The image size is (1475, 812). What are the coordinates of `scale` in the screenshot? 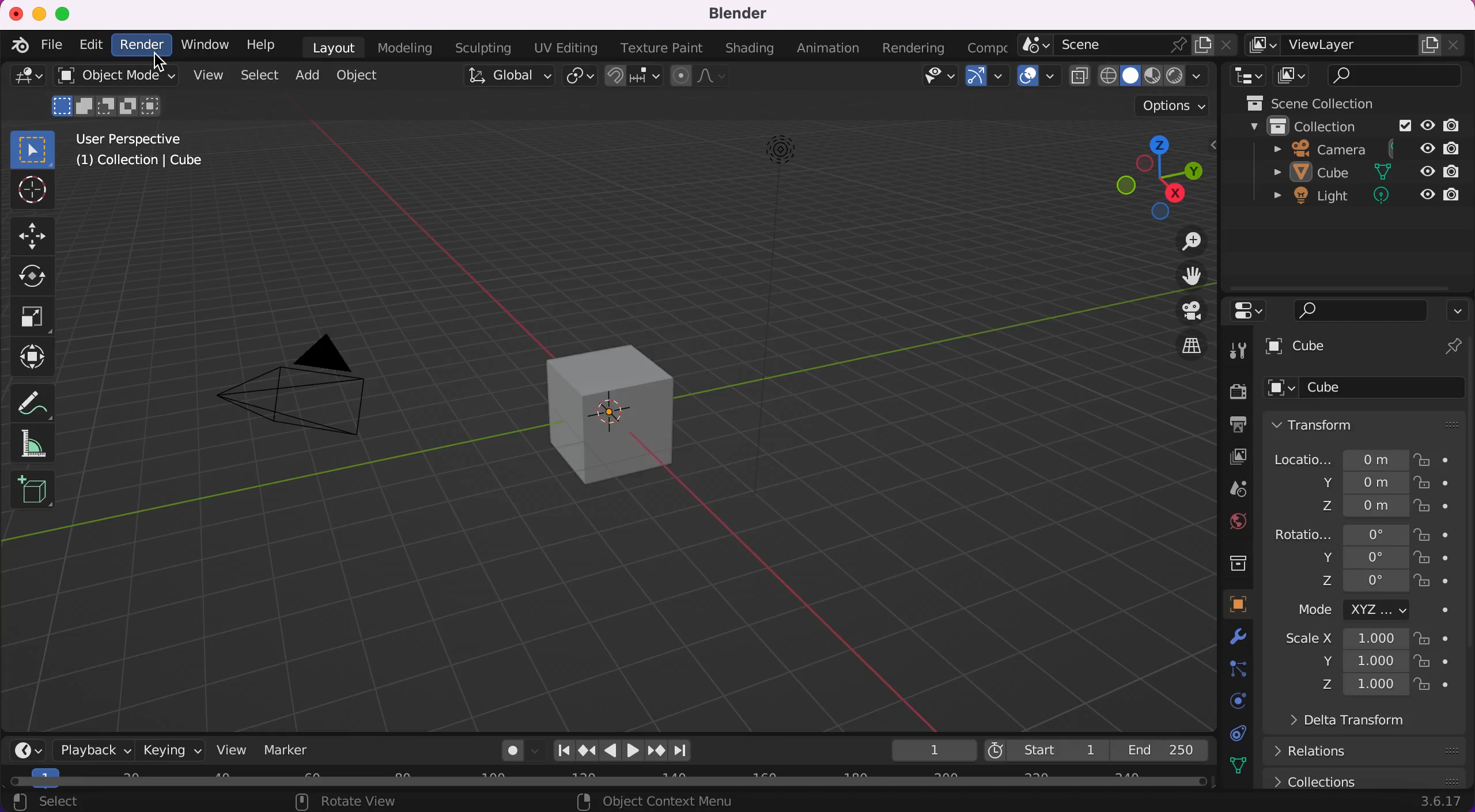 It's located at (35, 317).